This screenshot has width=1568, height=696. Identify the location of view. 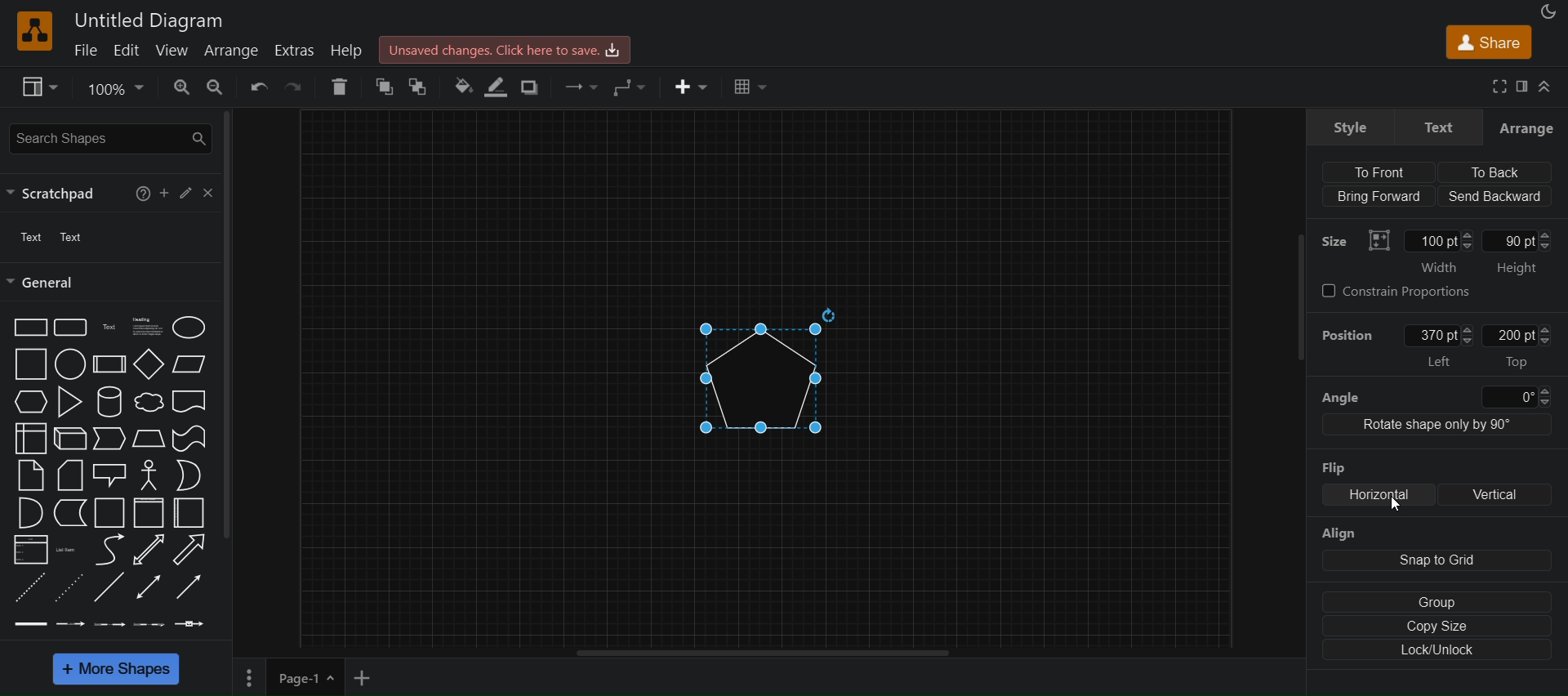
(40, 87).